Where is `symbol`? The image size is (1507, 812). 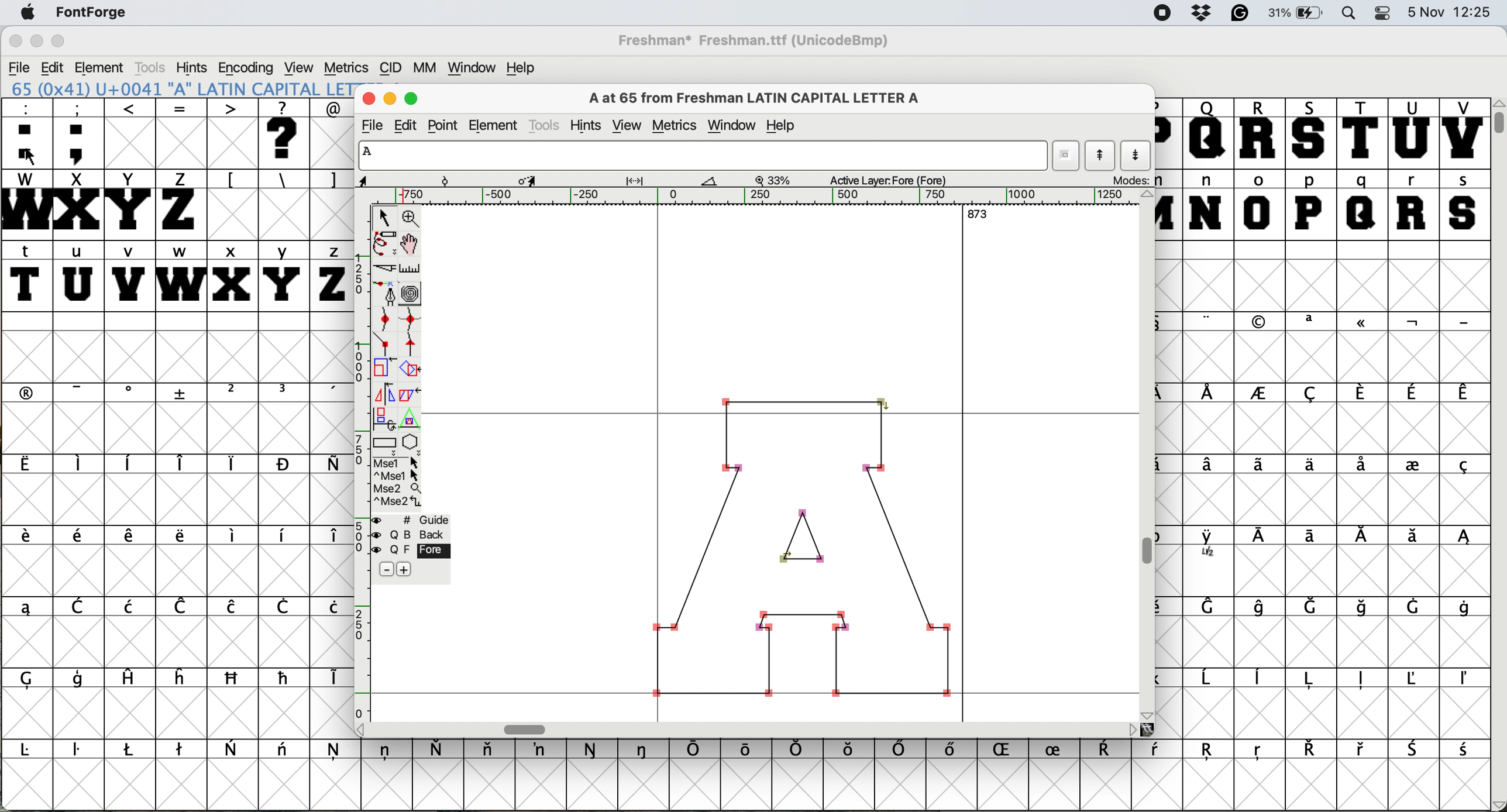
symbol is located at coordinates (1360, 393).